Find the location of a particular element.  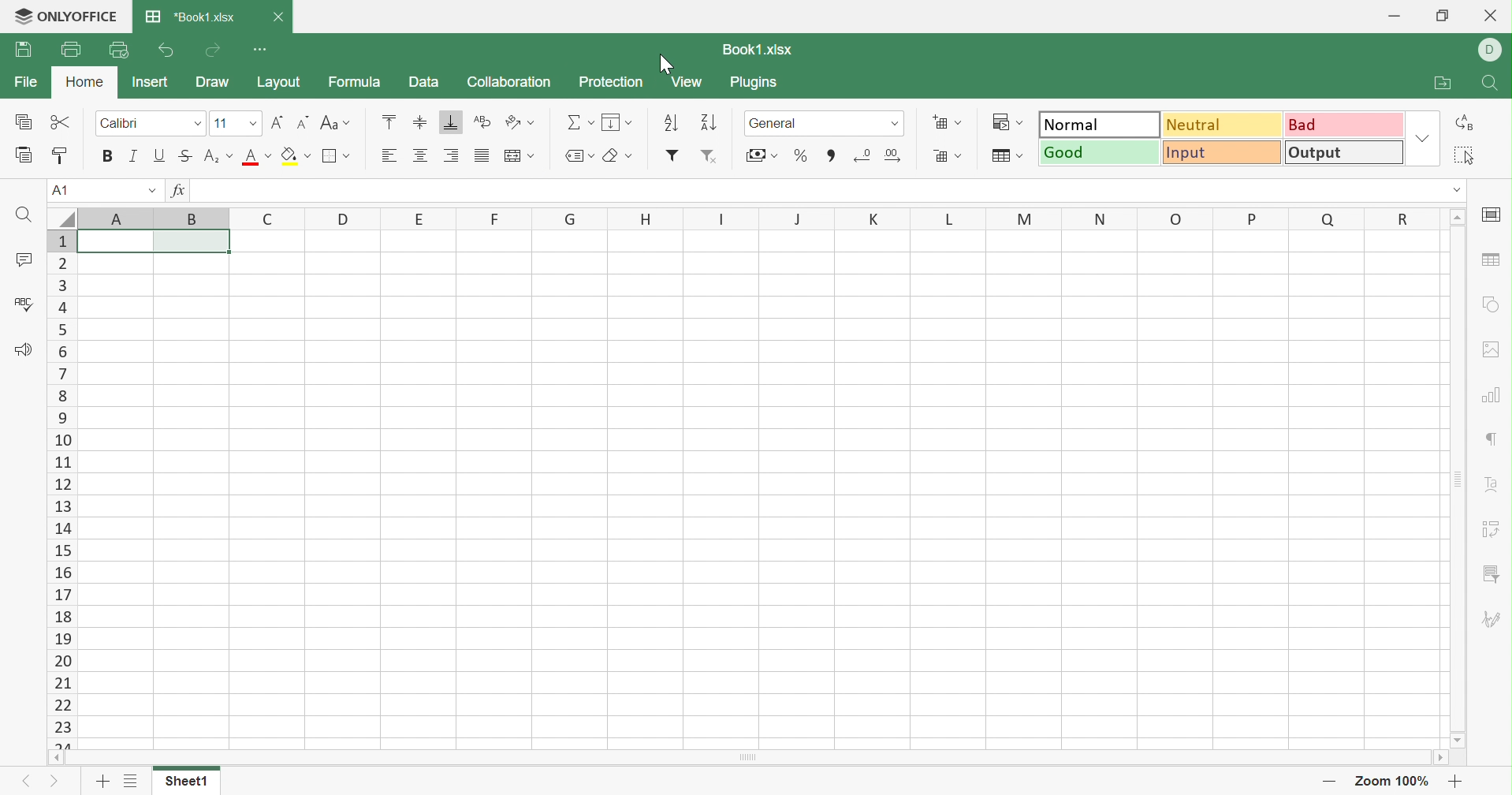

Remove filter is located at coordinates (713, 156).